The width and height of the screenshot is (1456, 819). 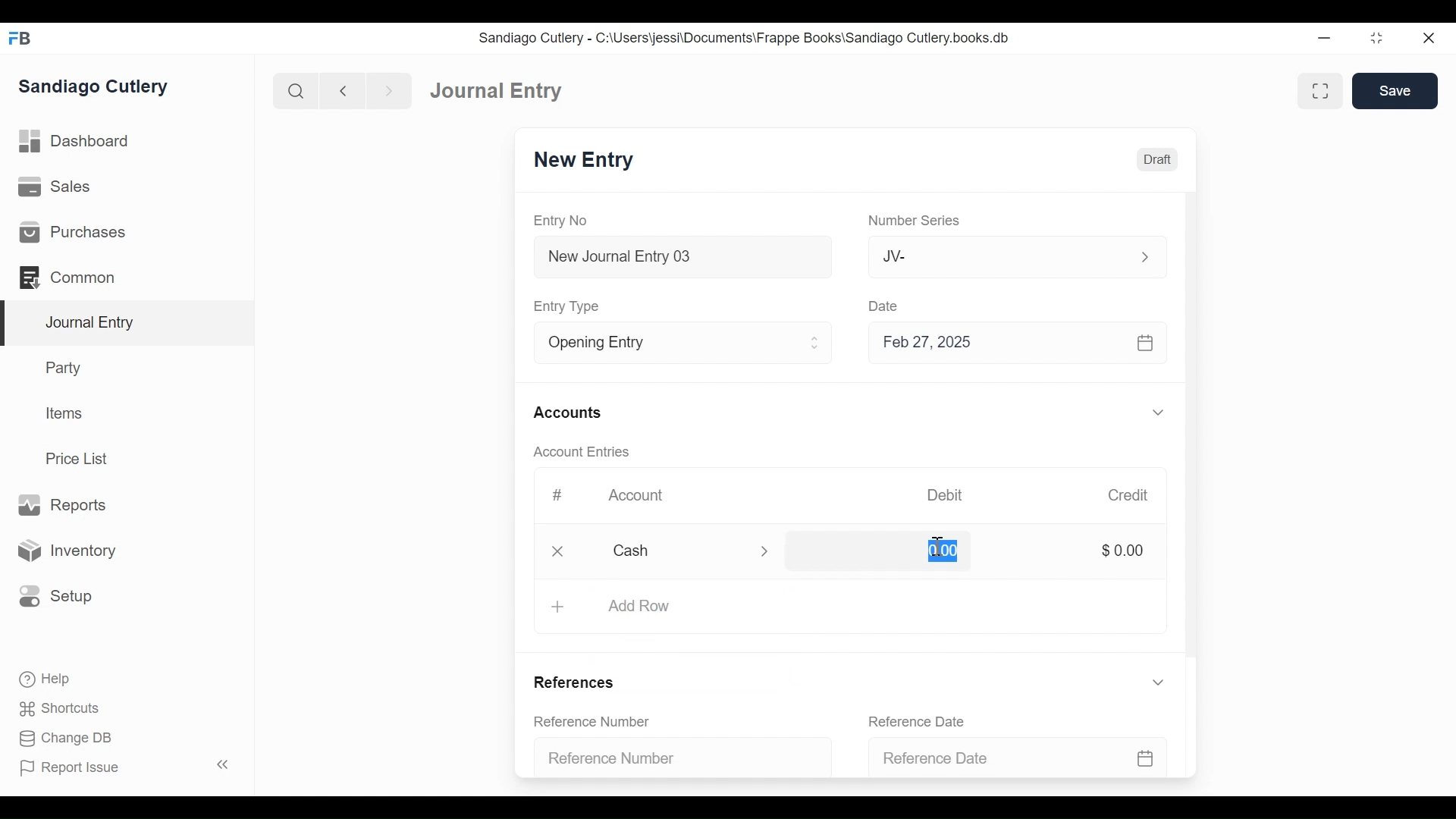 I want to click on Entry Type, so click(x=663, y=343).